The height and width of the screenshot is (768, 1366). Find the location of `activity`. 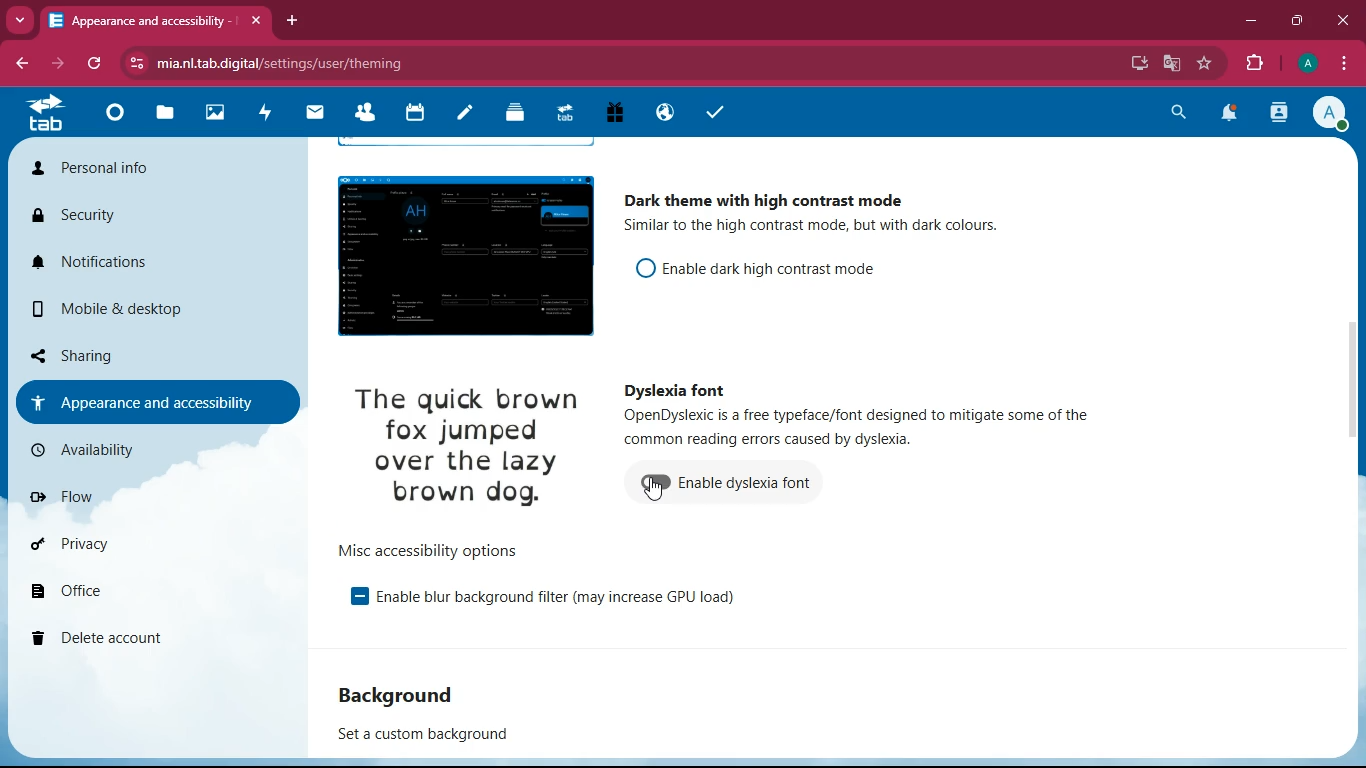

activity is located at coordinates (1276, 115).